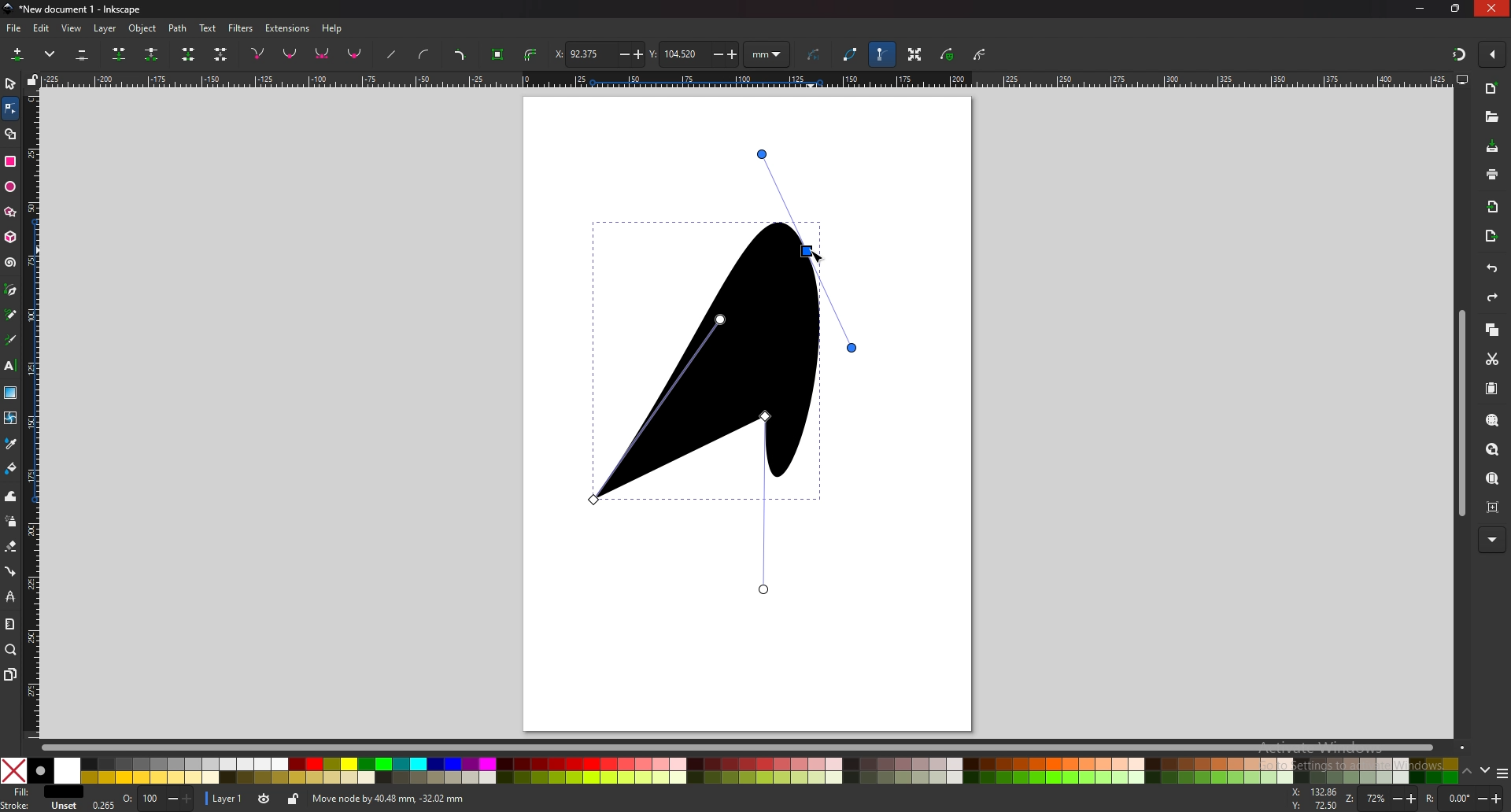  What do you see at coordinates (534, 799) in the screenshot?
I see `info` at bounding box center [534, 799].